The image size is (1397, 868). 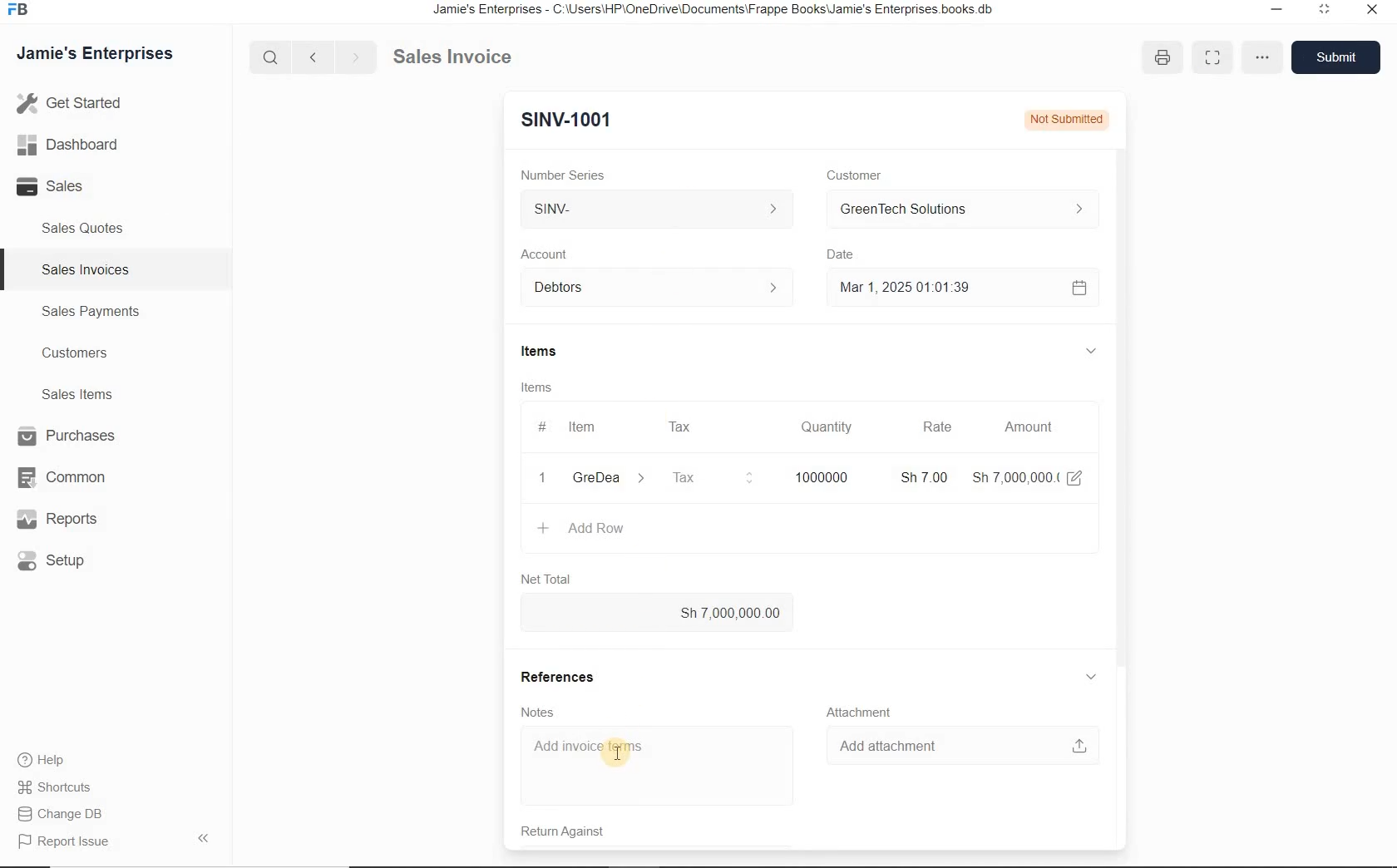 What do you see at coordinates (1163, 58) in the screenshot?
I see `print` at bounding box center [1163, 58].